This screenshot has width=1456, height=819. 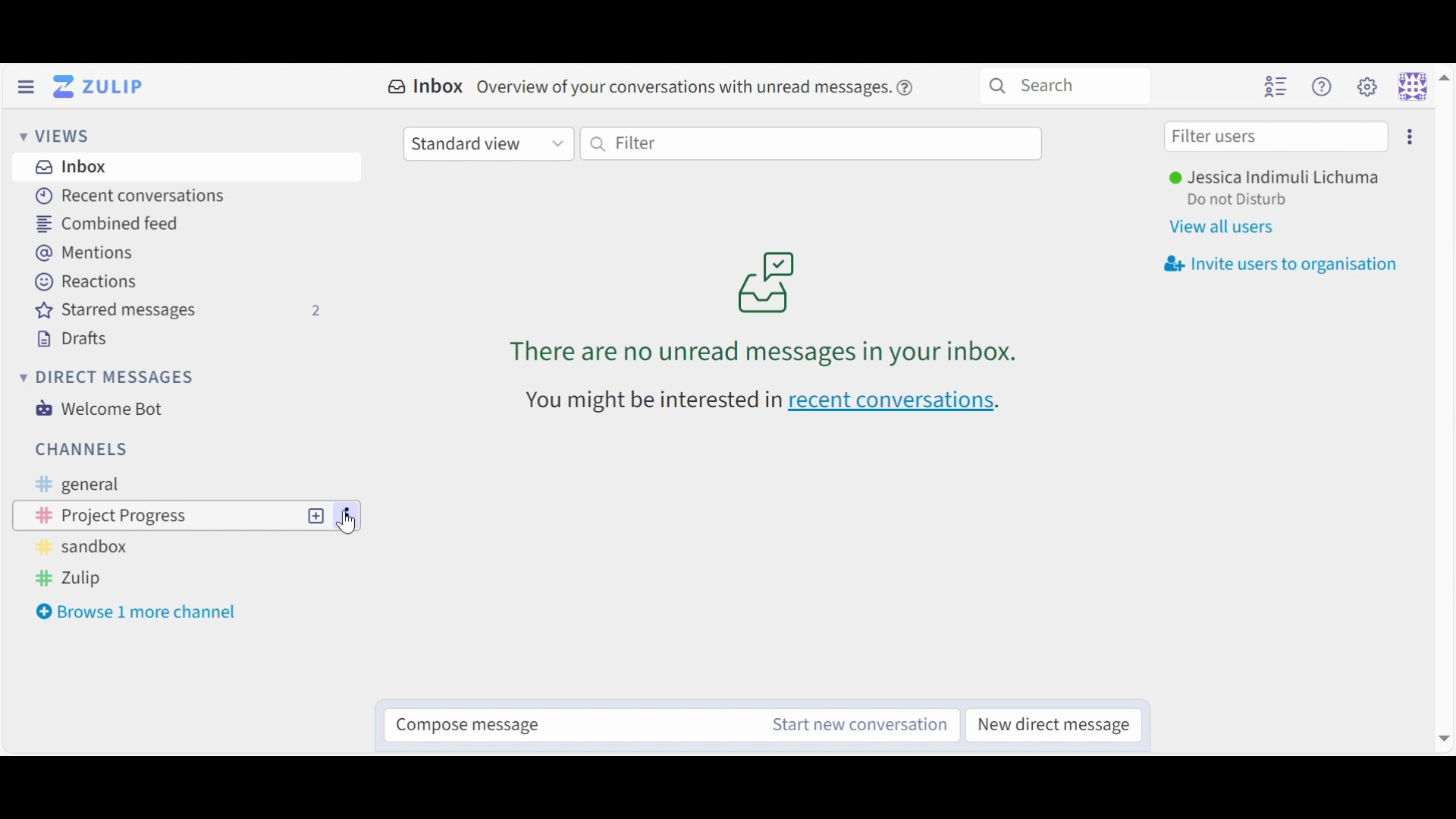 What do you see at coordinates (1228, 229) in the screenshot?
I see `View all users` at bounding box center [1228, 229].